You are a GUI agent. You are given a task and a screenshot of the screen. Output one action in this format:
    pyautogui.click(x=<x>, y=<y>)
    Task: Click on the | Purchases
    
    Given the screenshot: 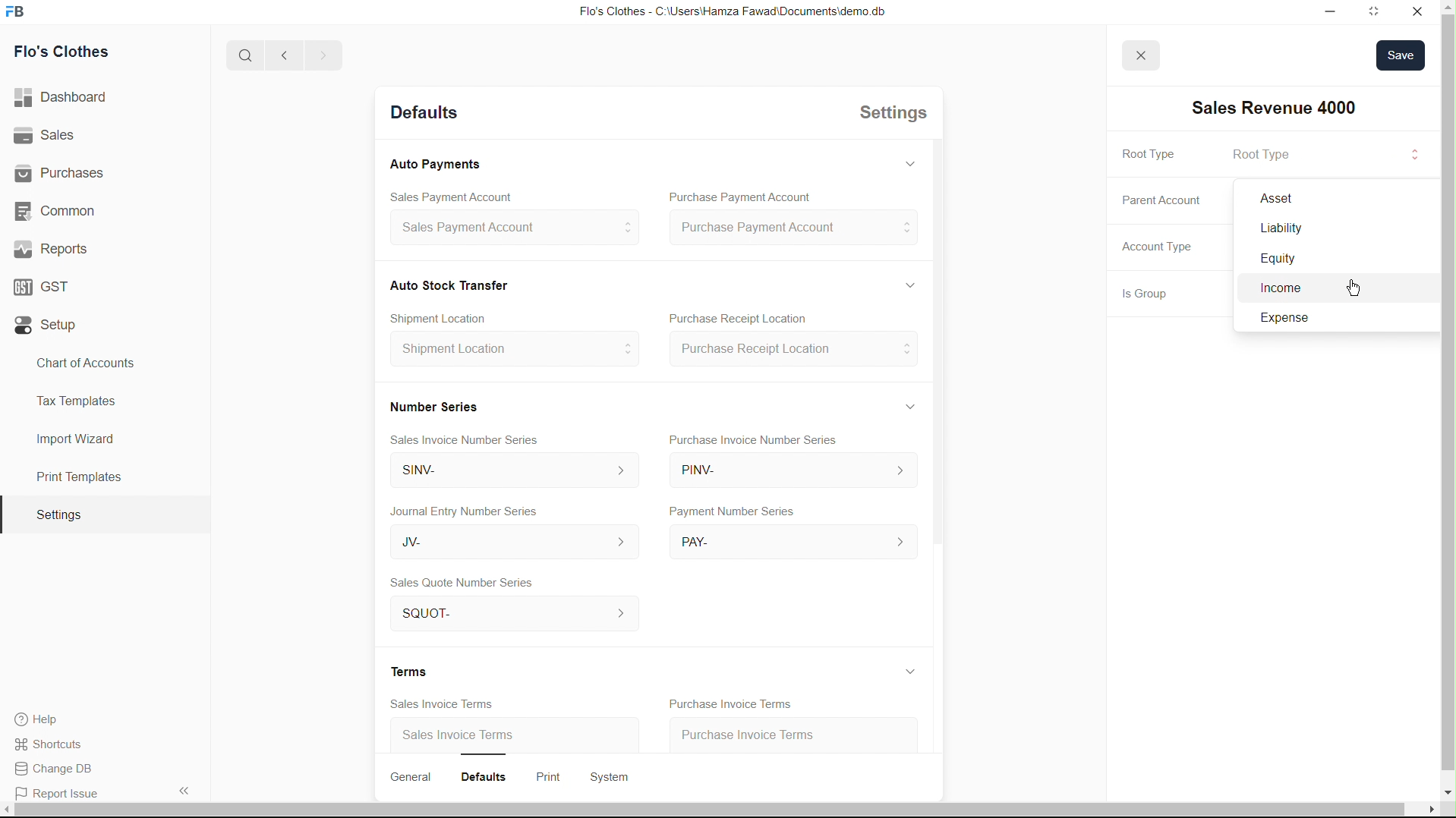 What is the action you would take?
    pyautogui.click(x=66, y=171)
    